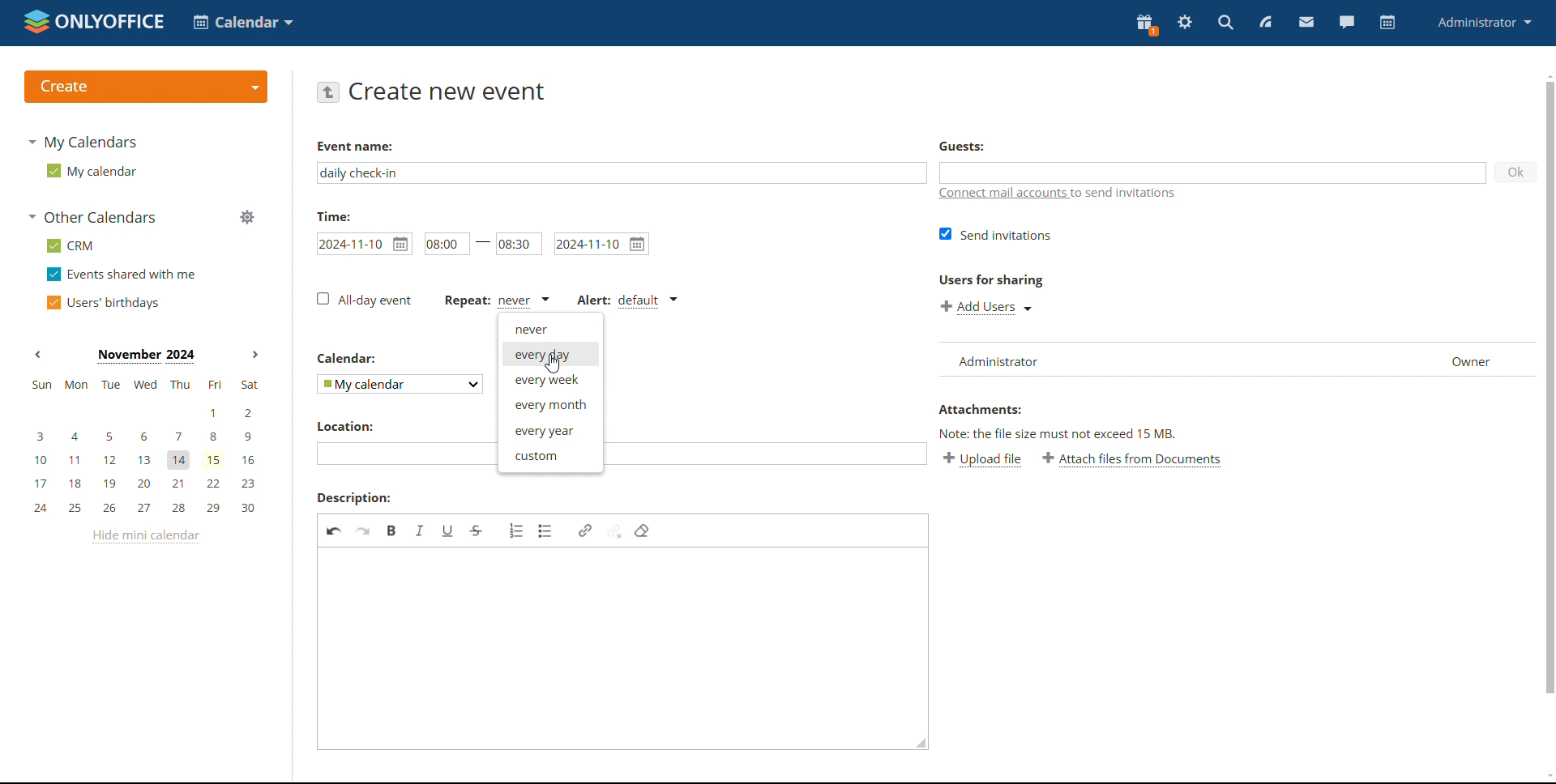 The image size is (1556, 784). Describe the element at coordinates (997, 234) in the screenshot. I see `send invitations` at that location.